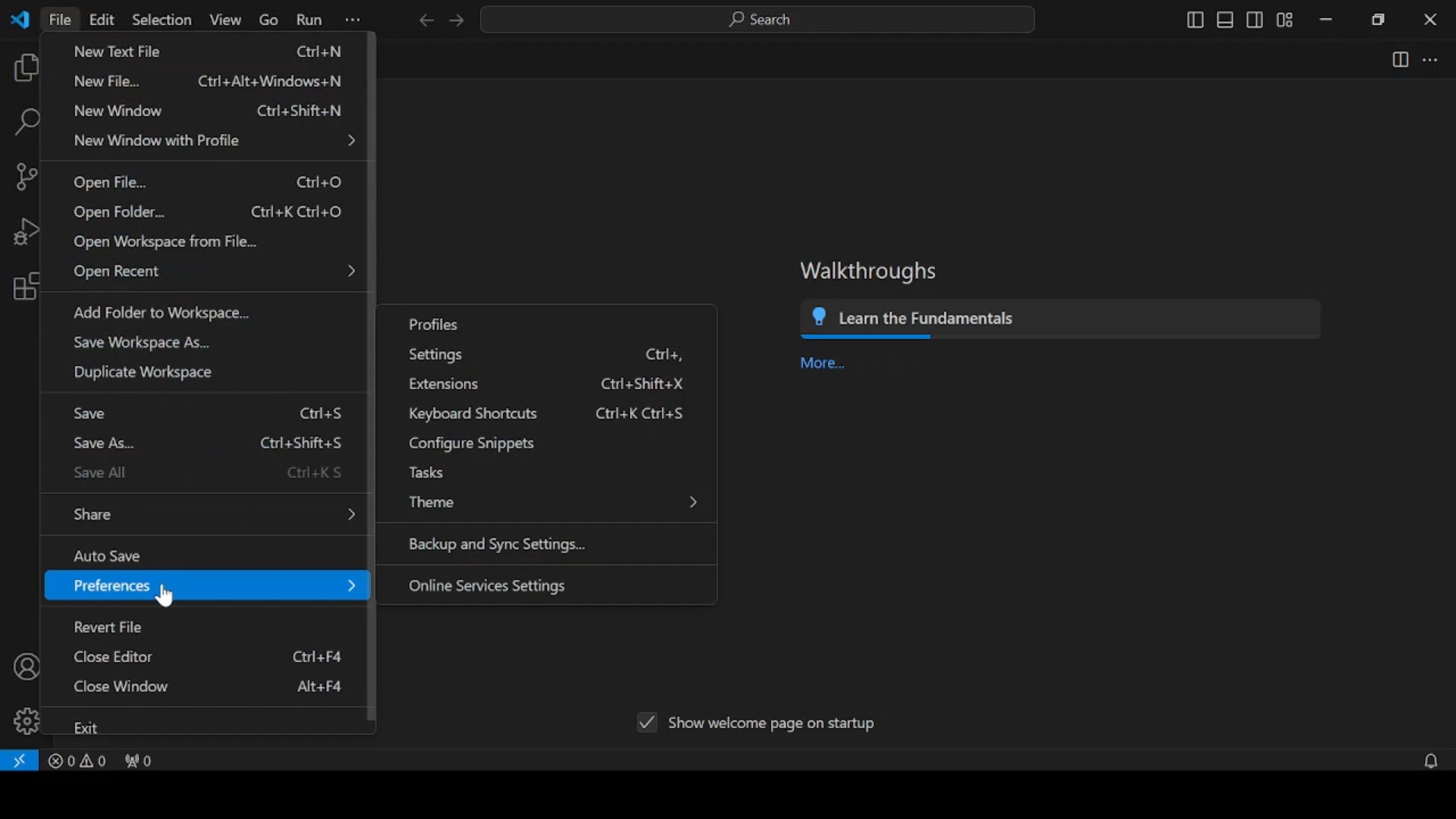 The width and height of the screenshot is (1456, 819). What do you see at coordinates (301, 443) in the screenshot?
I see `Ctrl+shift+S` at bounding box center [301, 443].